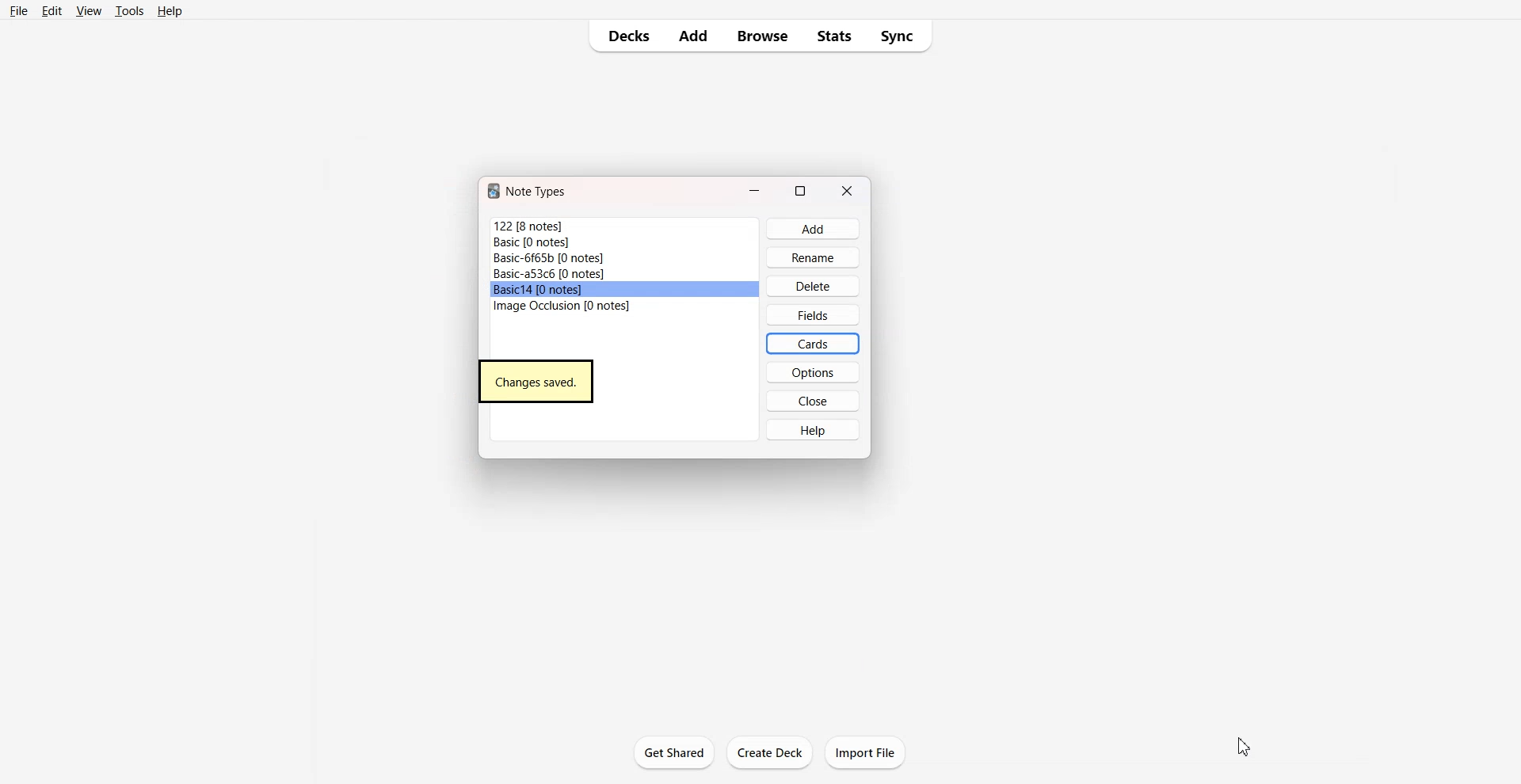 The height and width of the screenshot is (784, 1521). I want to click on Create Deck, so click(770, 752).